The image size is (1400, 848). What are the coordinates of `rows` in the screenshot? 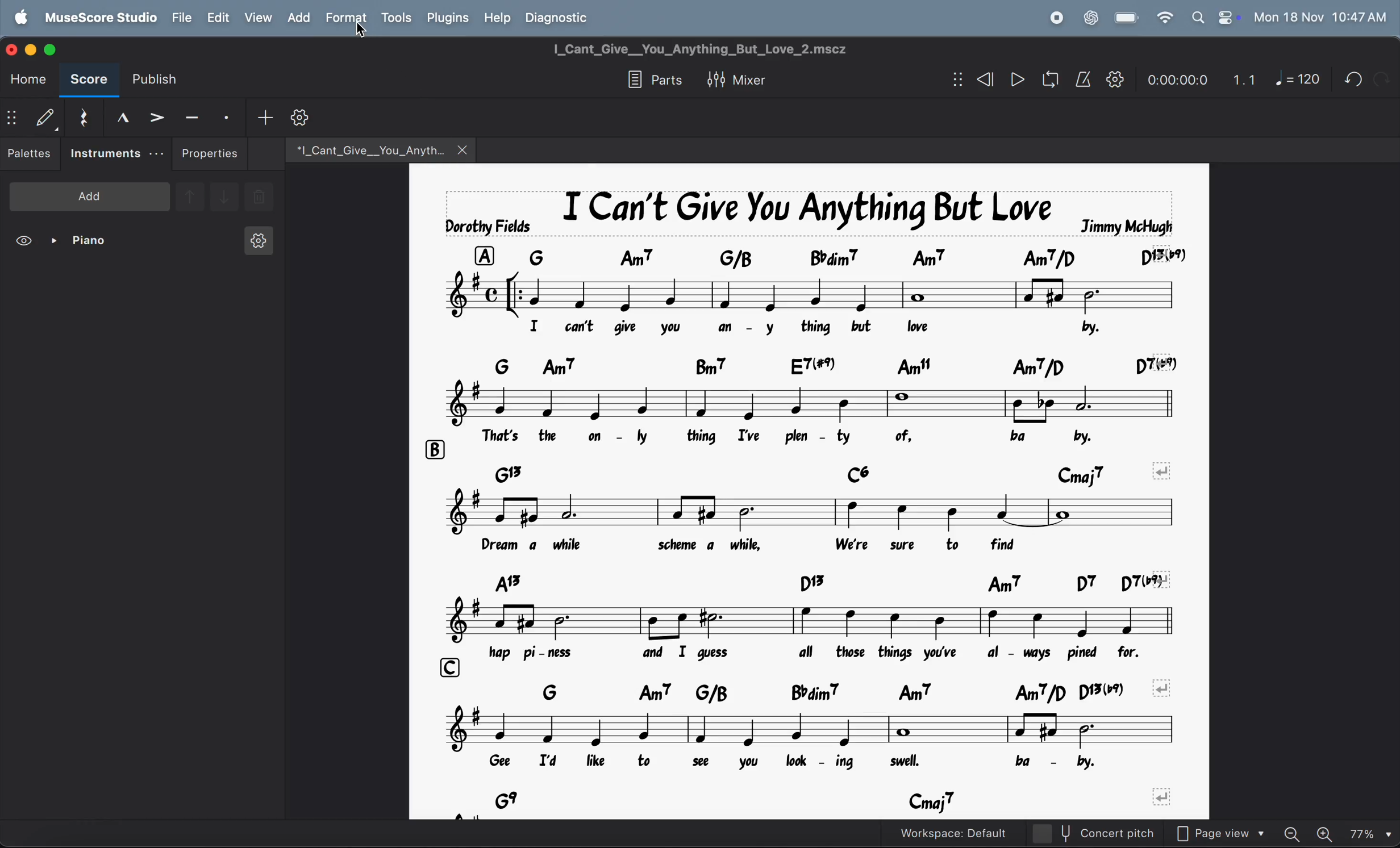 It's located at (484, 255).